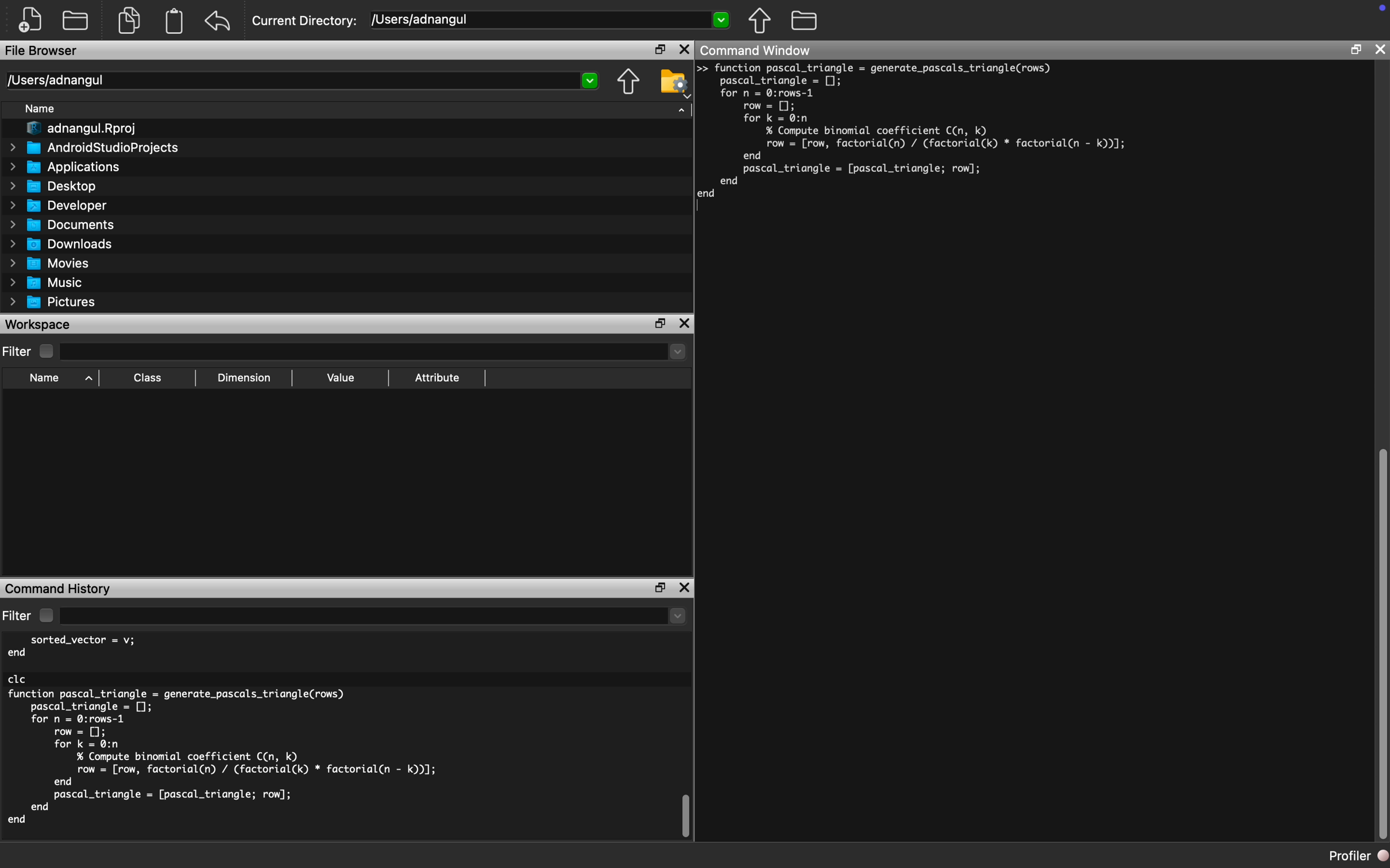 Image resolution: width=1390 pixels, height=868 pixels. I want to click on Close, so click(685, 50).